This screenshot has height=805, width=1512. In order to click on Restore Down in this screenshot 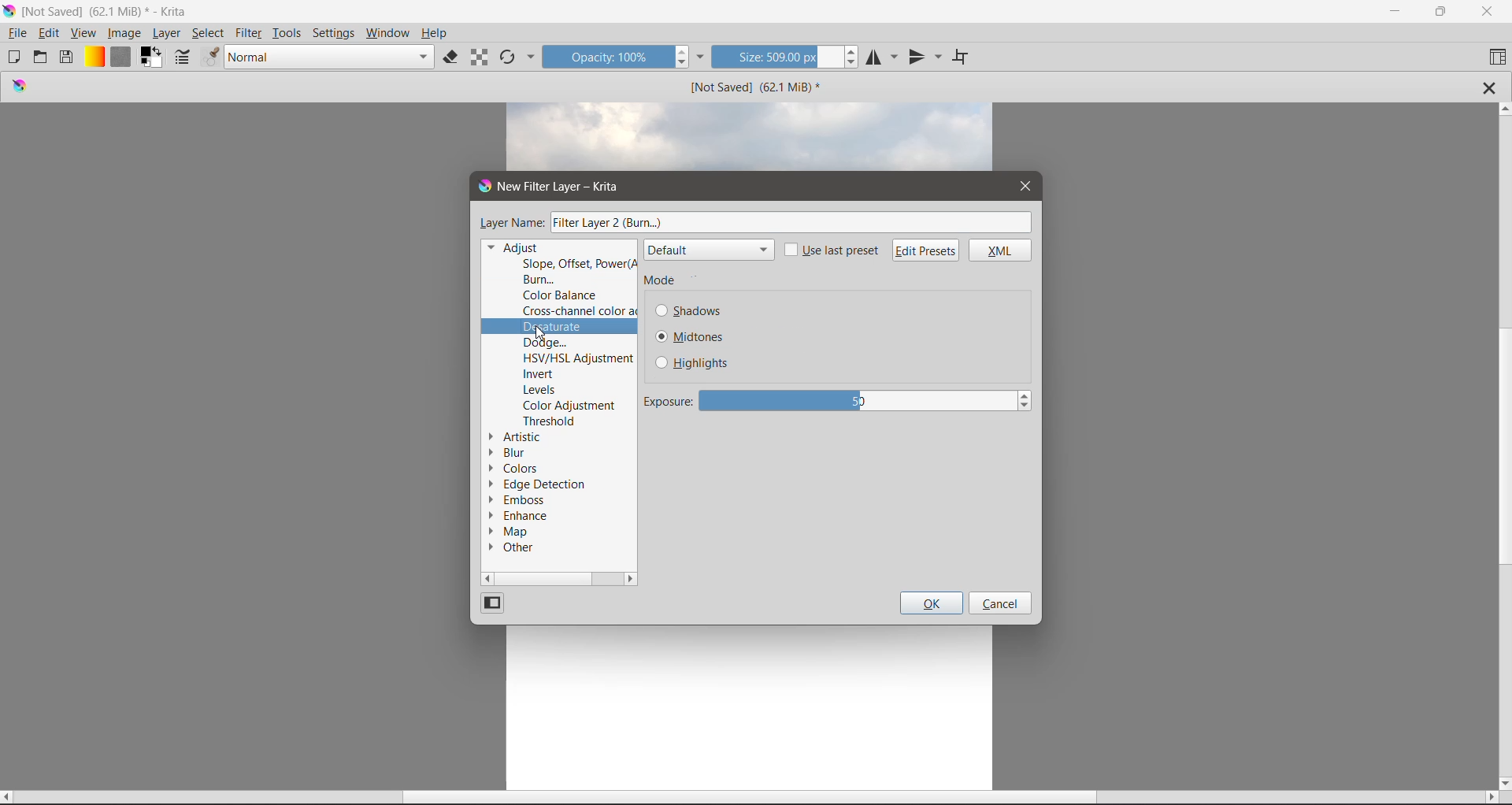, I will do `click(1440, 12)`.